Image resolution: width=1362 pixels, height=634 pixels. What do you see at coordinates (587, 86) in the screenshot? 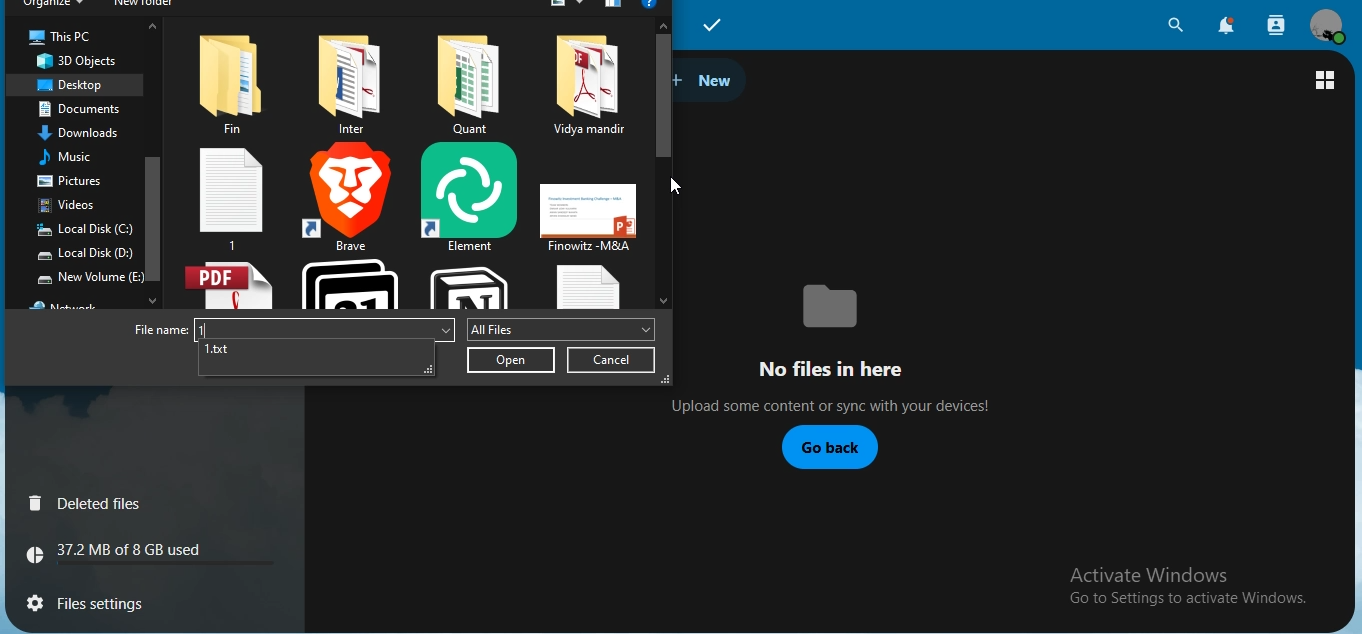
I see `file` at bounding box center [587, 86].